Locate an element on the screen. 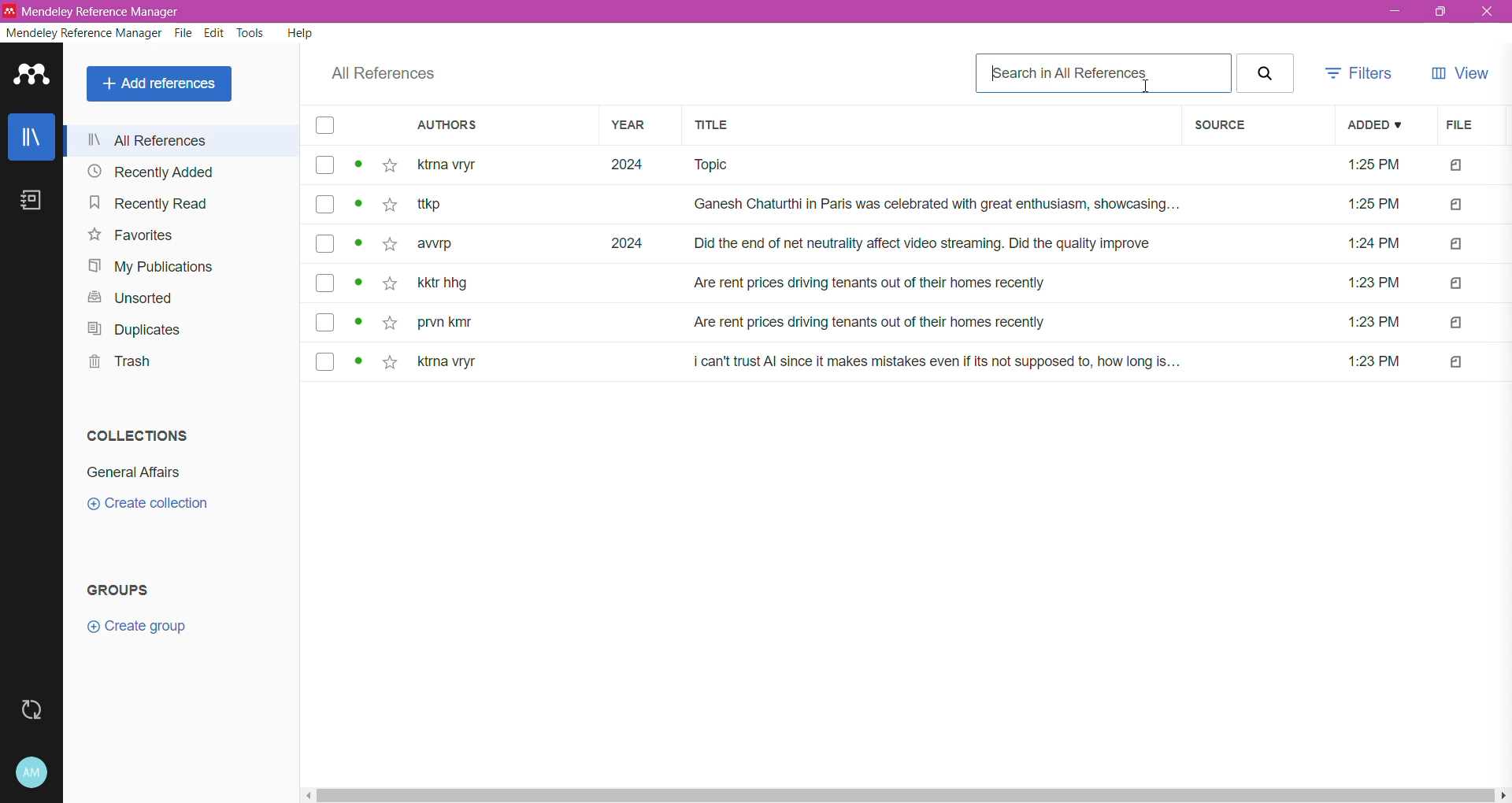 This screenshot has height=803, width=1512. Notebook is located at coordinates (33, 205).